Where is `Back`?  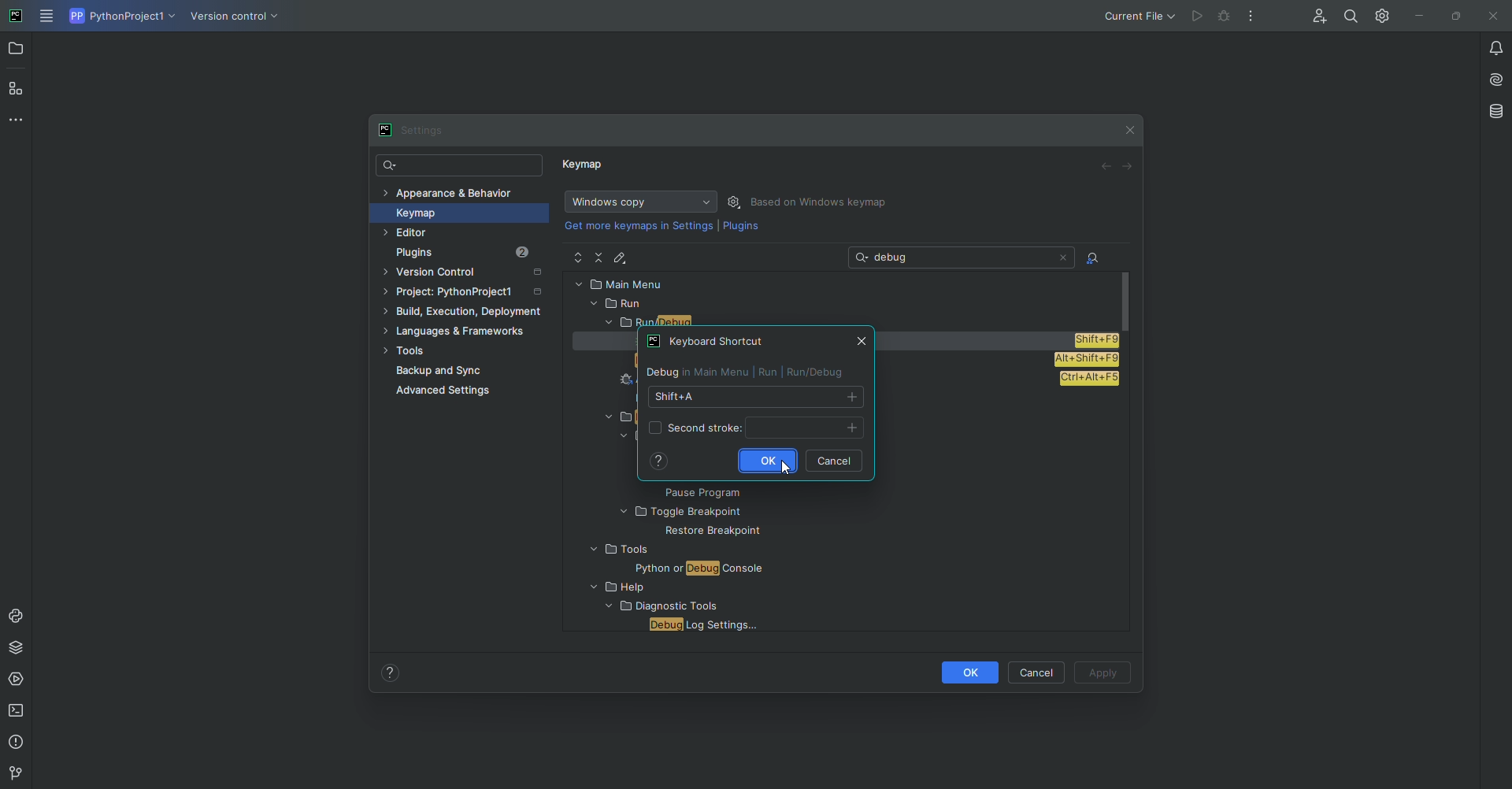
Back is located at coordinates (1106, 167).